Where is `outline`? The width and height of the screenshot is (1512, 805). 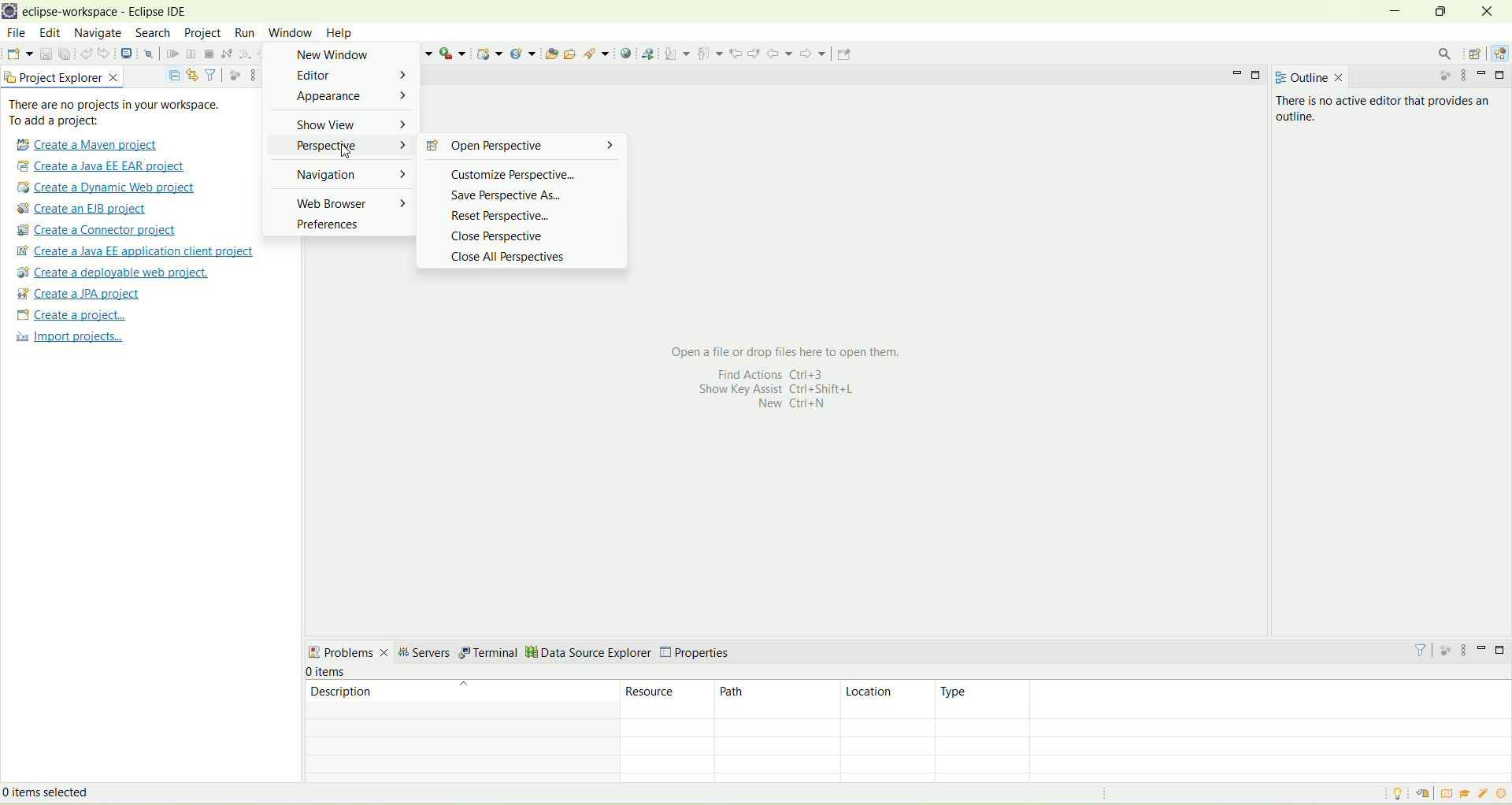 outline is located at coordinates (1306, 75).